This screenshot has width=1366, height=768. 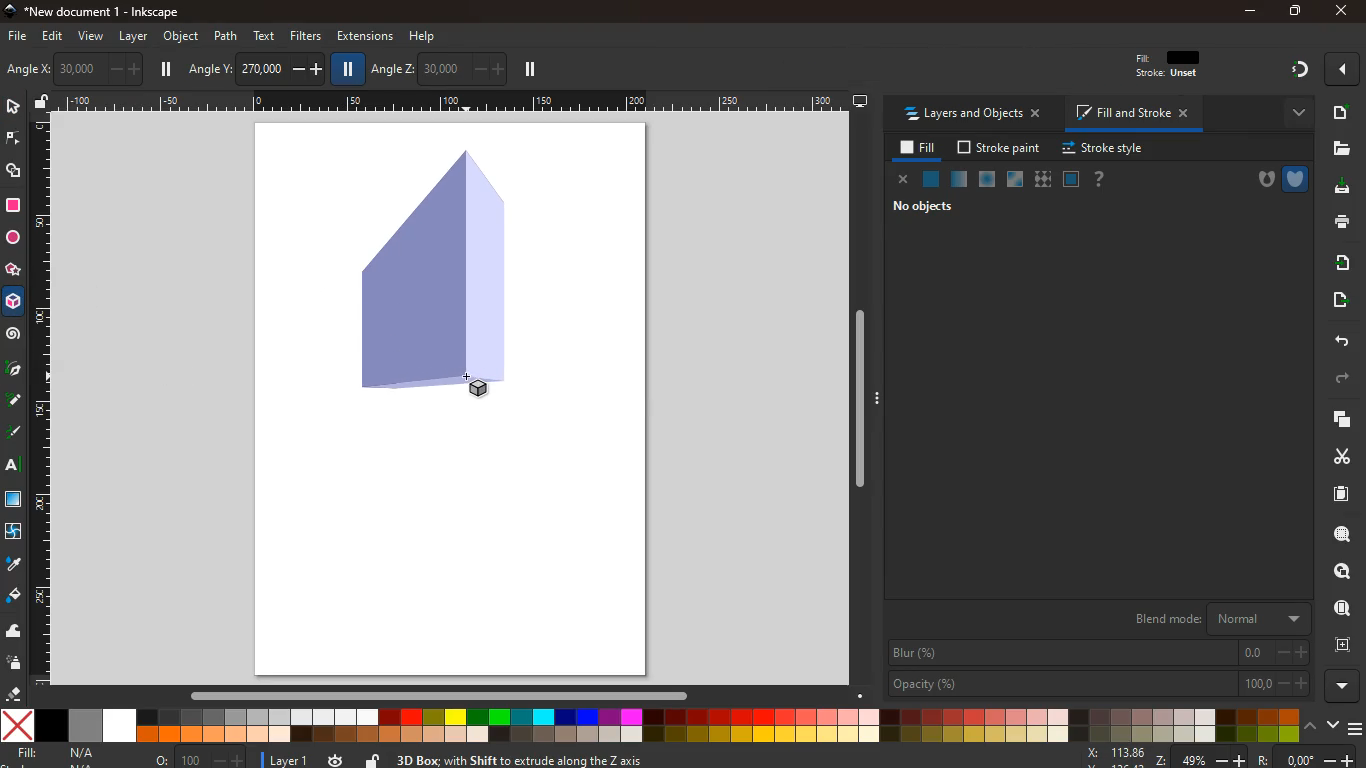 What do you see at coordinates (349, 70) in the screenshot?
I see `pause` at bounding box center [349, 70].